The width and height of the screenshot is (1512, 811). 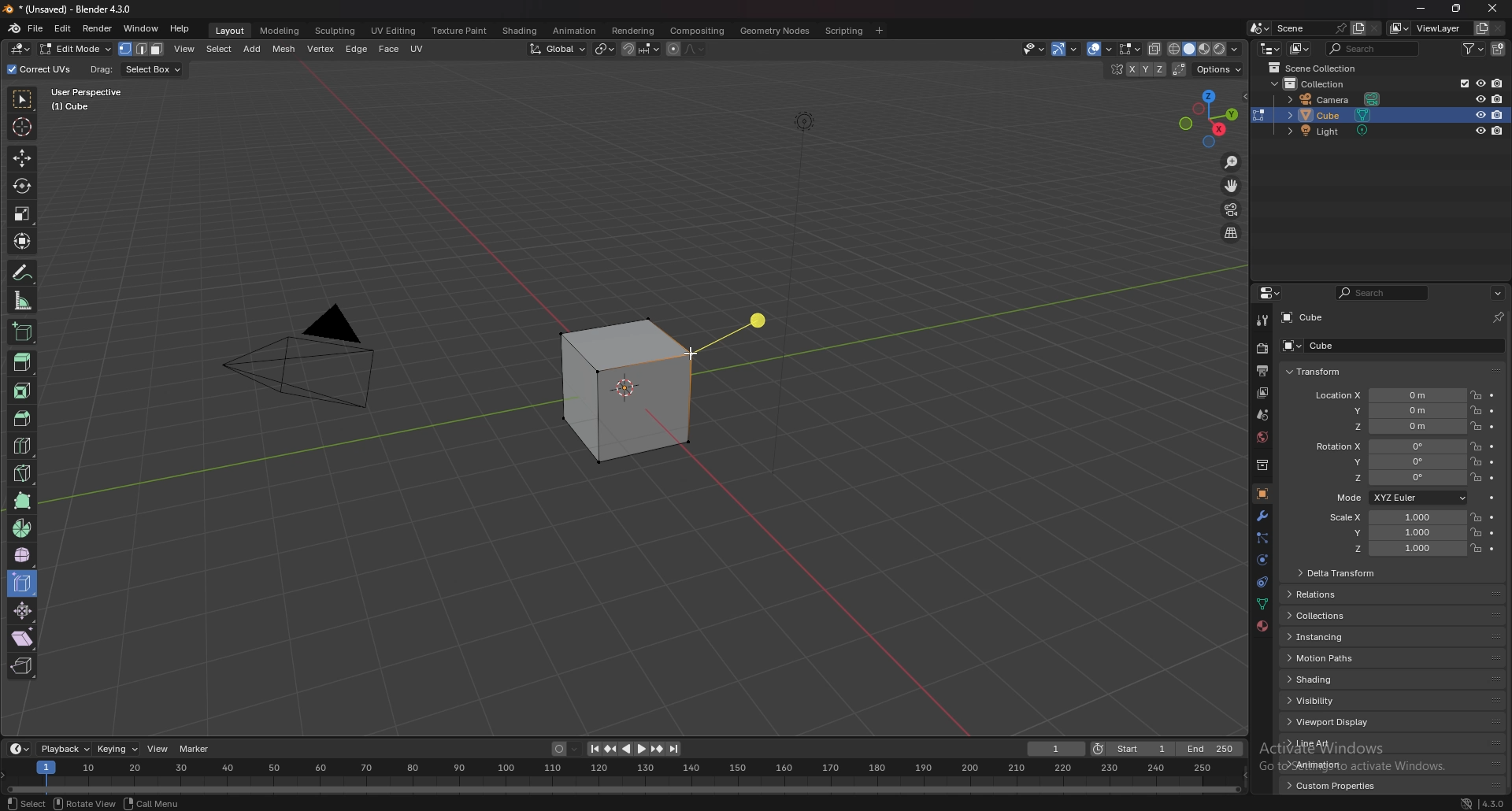 What do you see at coordinates (774, 31) in the screenshot?
I see `geometry nodes` at bounding box center [774, 31].